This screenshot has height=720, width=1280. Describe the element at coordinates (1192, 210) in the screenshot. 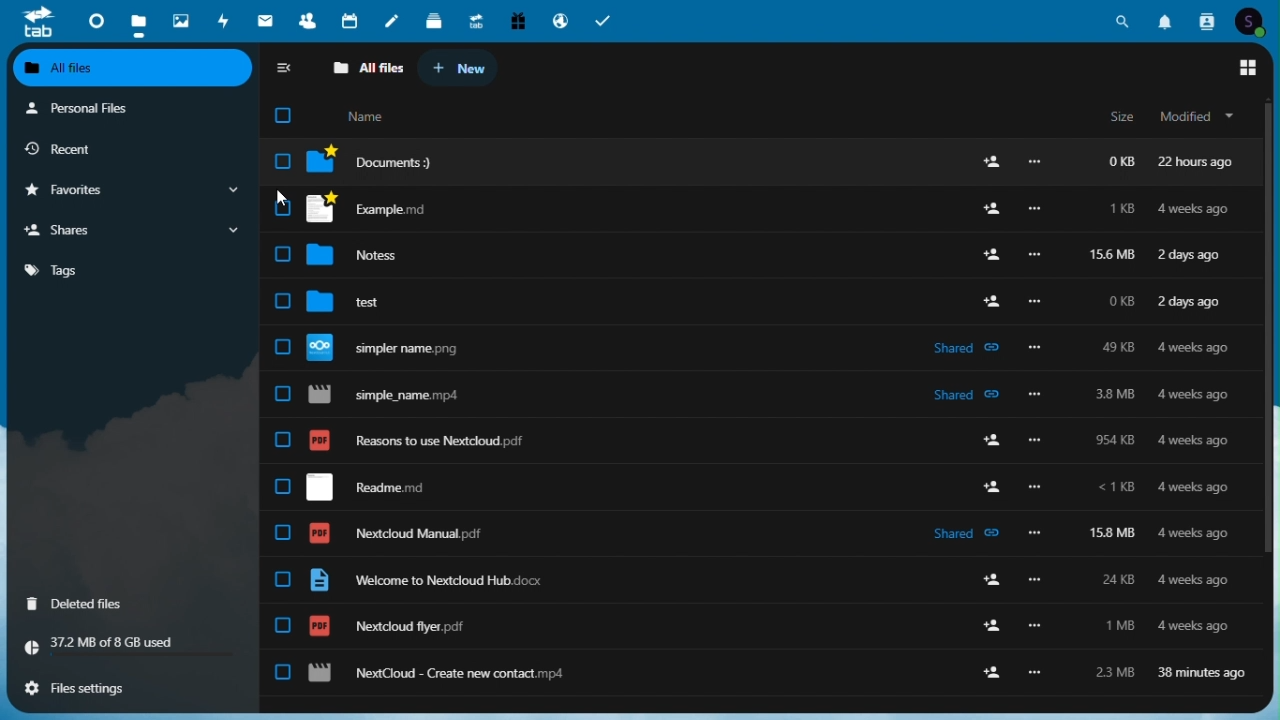

I see `4 weeks ago` at that location.